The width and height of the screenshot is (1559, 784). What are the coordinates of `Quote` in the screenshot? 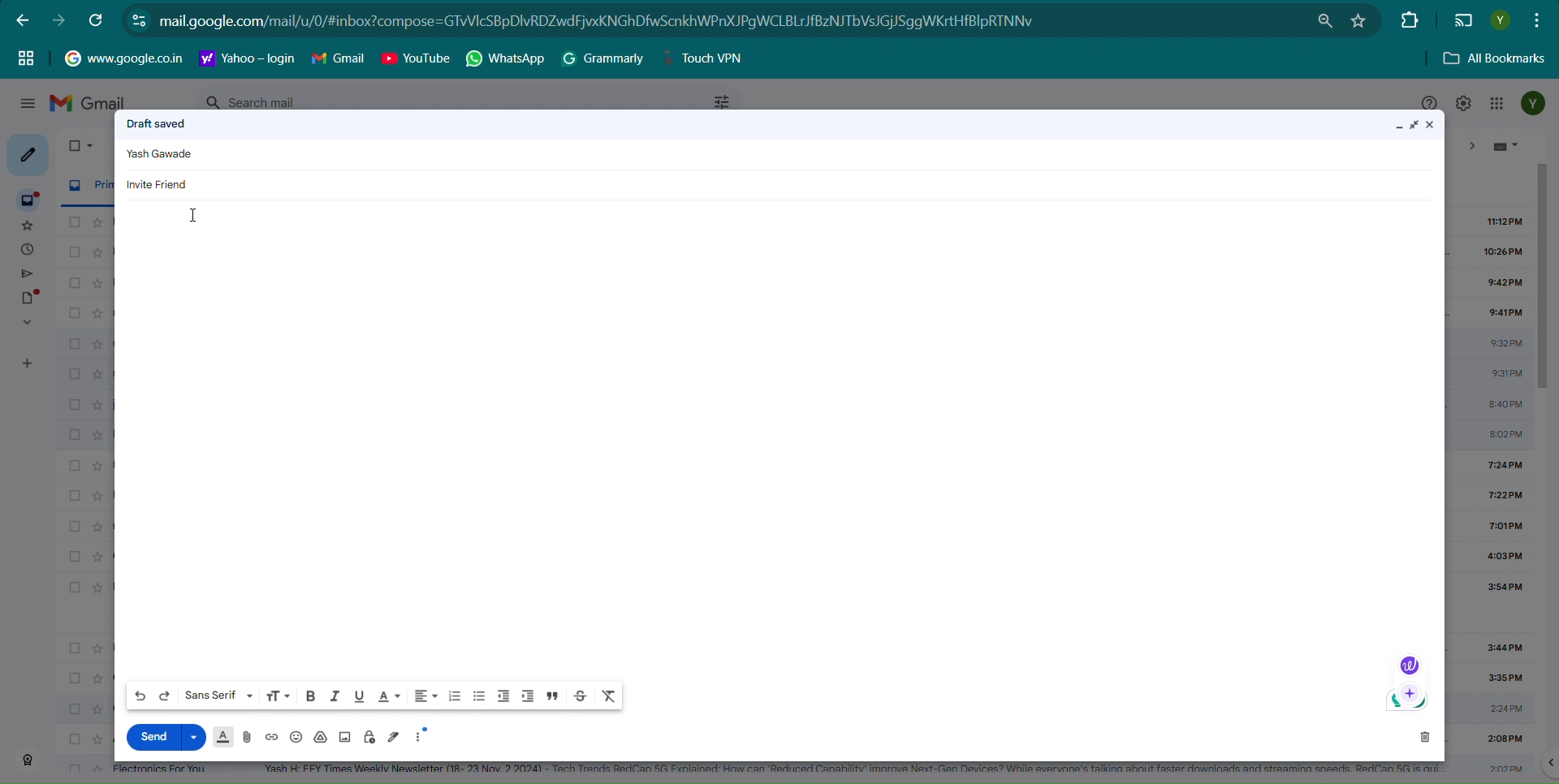 It's located at (553, 696).